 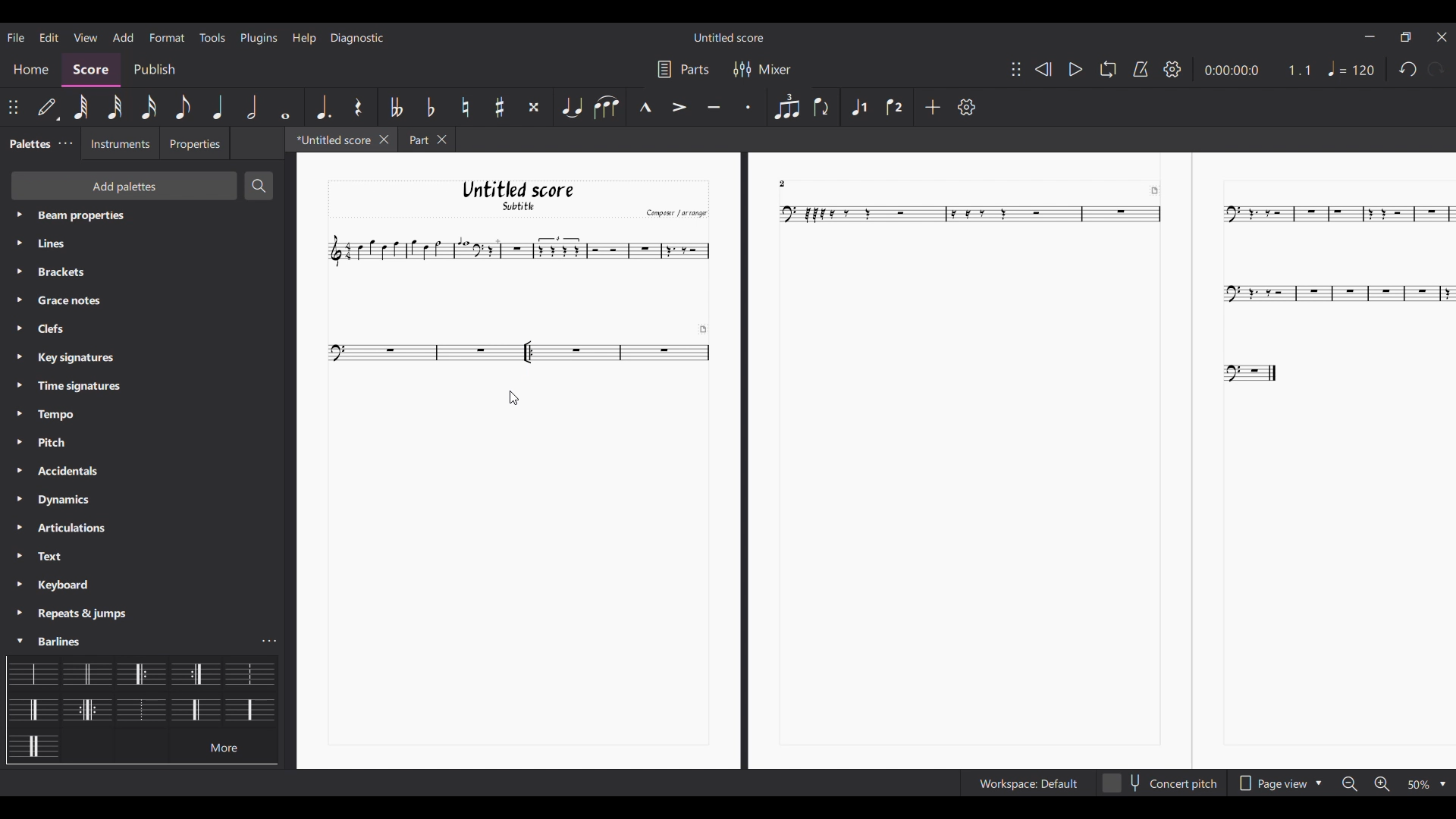 I want to click on Parts settings, so click(x=683, y=69).